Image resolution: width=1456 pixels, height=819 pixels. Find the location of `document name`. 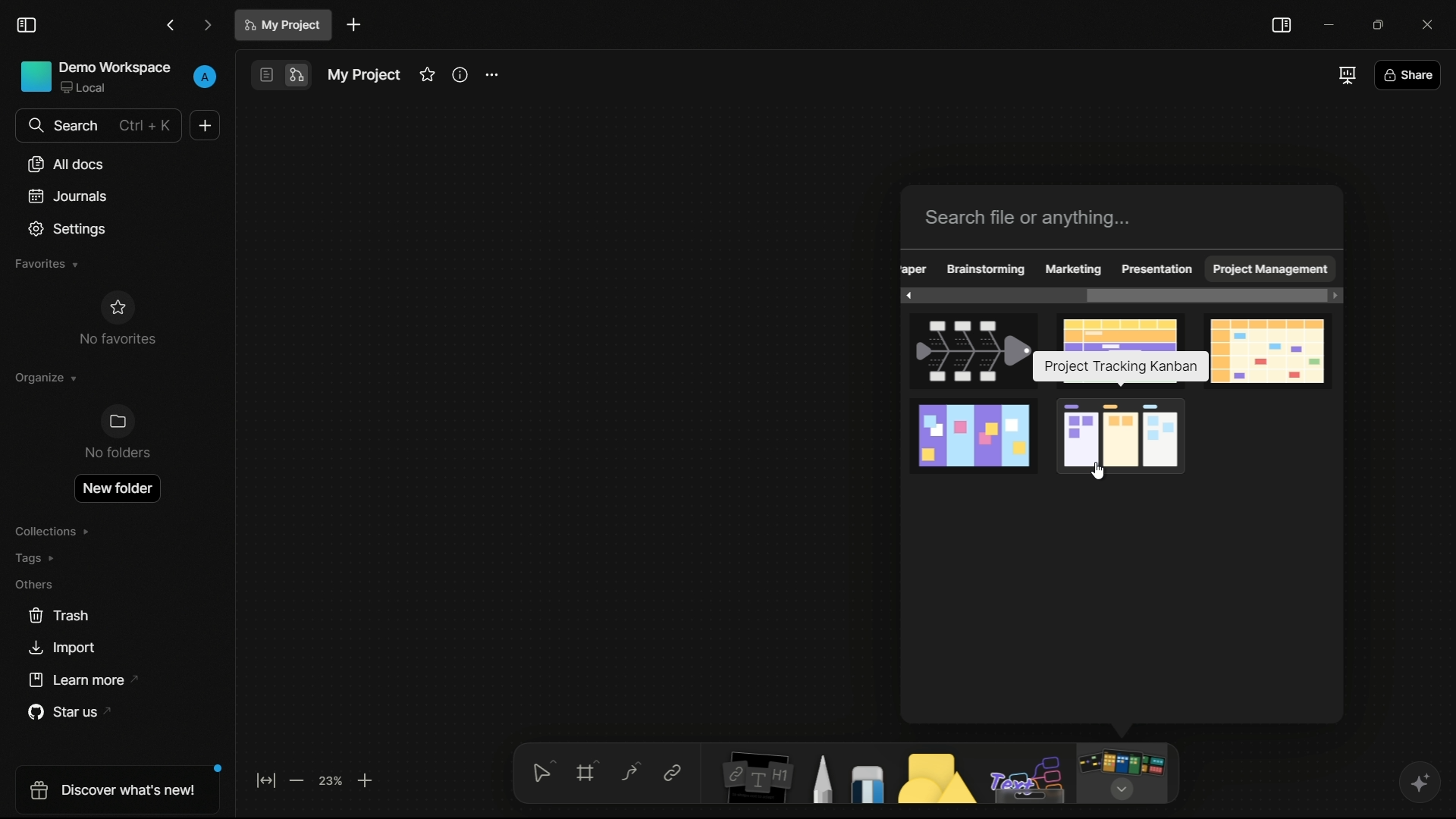

document name is located at coordinates (362, 75).